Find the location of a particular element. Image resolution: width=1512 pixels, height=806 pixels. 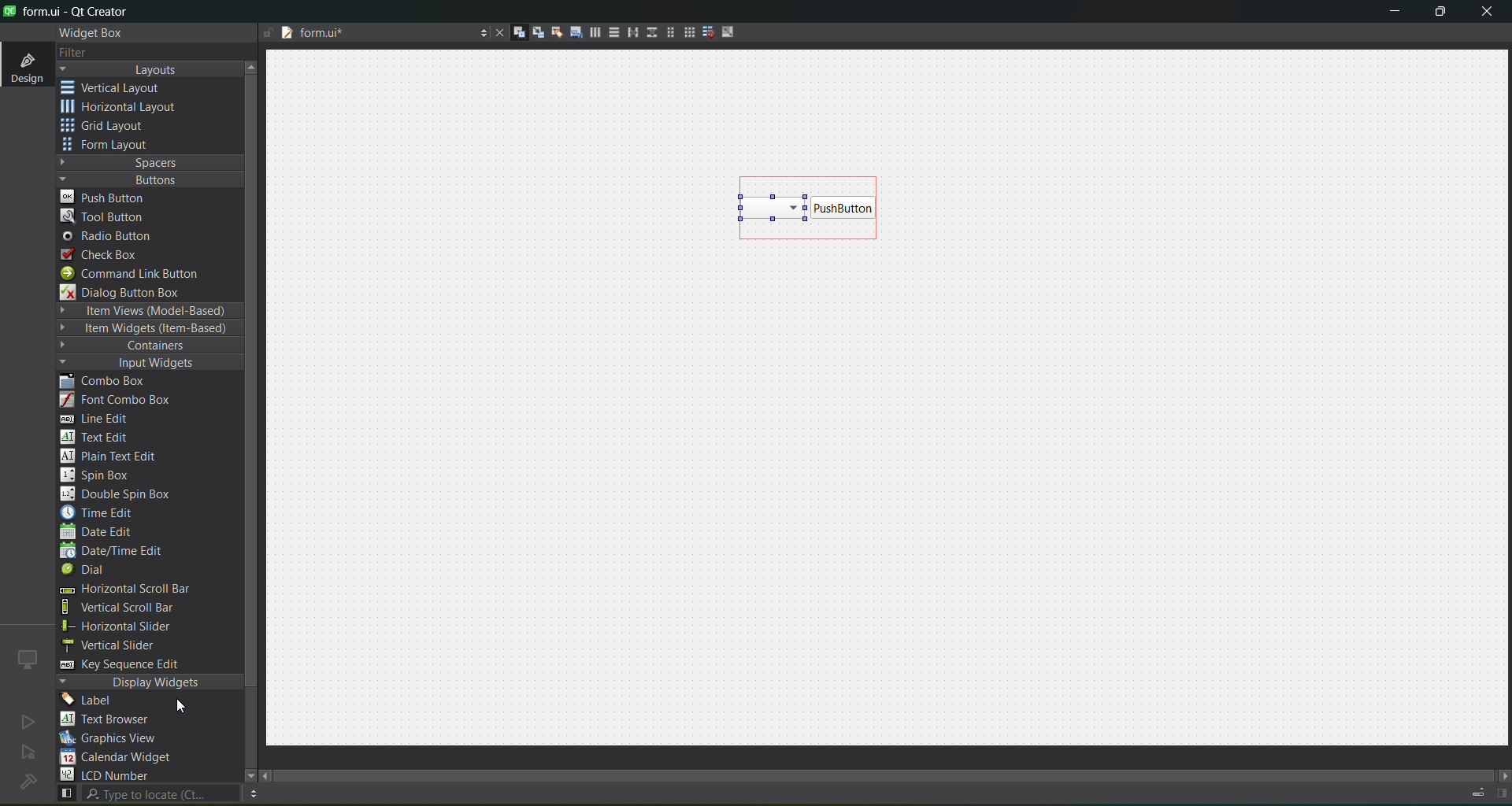

radio is located at coordinates (112, 237).